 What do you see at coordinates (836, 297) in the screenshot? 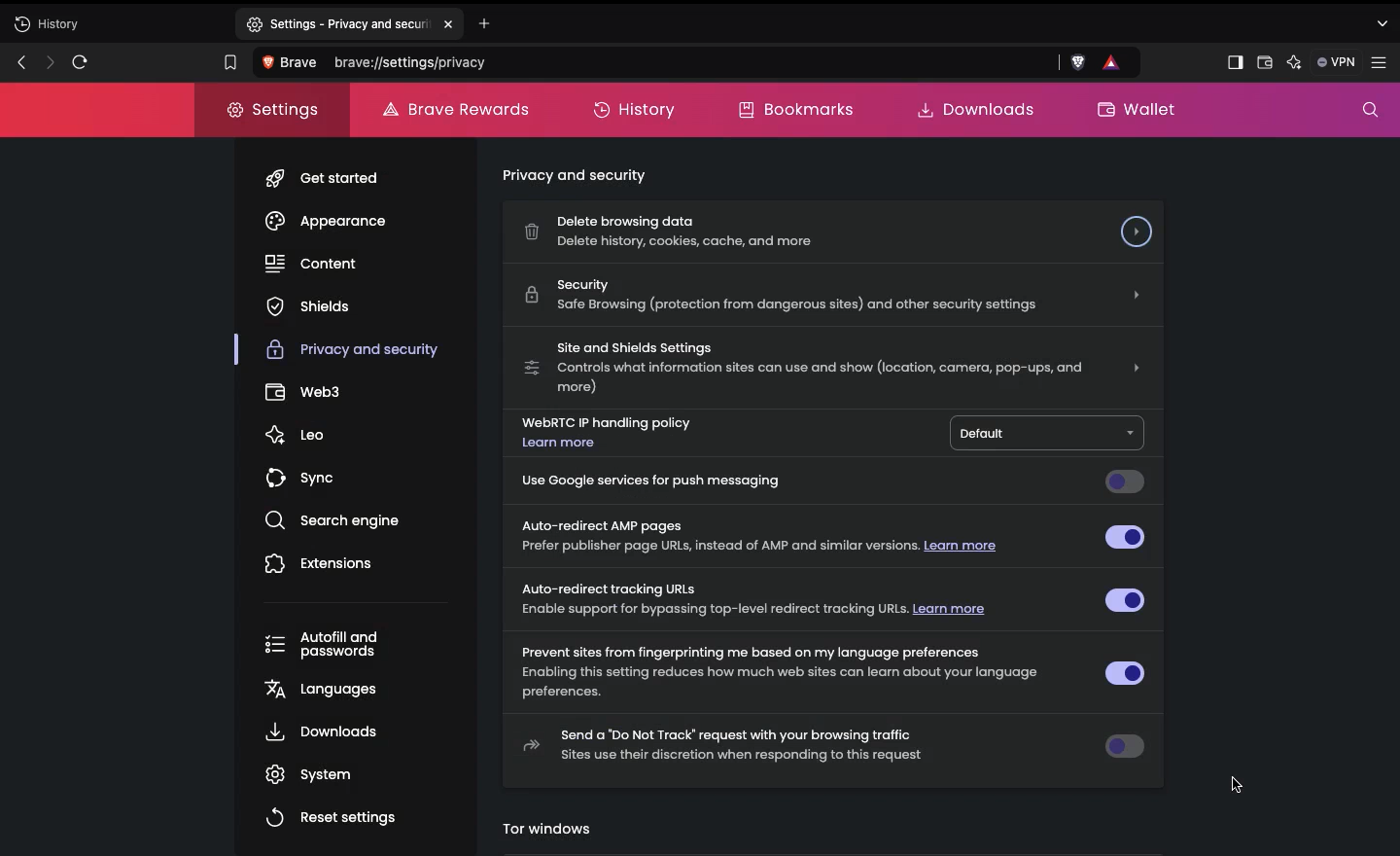
I see `Security
Safe Browsing (protection from dangerous sites) and other security settings` at bounding box center [836, 297].